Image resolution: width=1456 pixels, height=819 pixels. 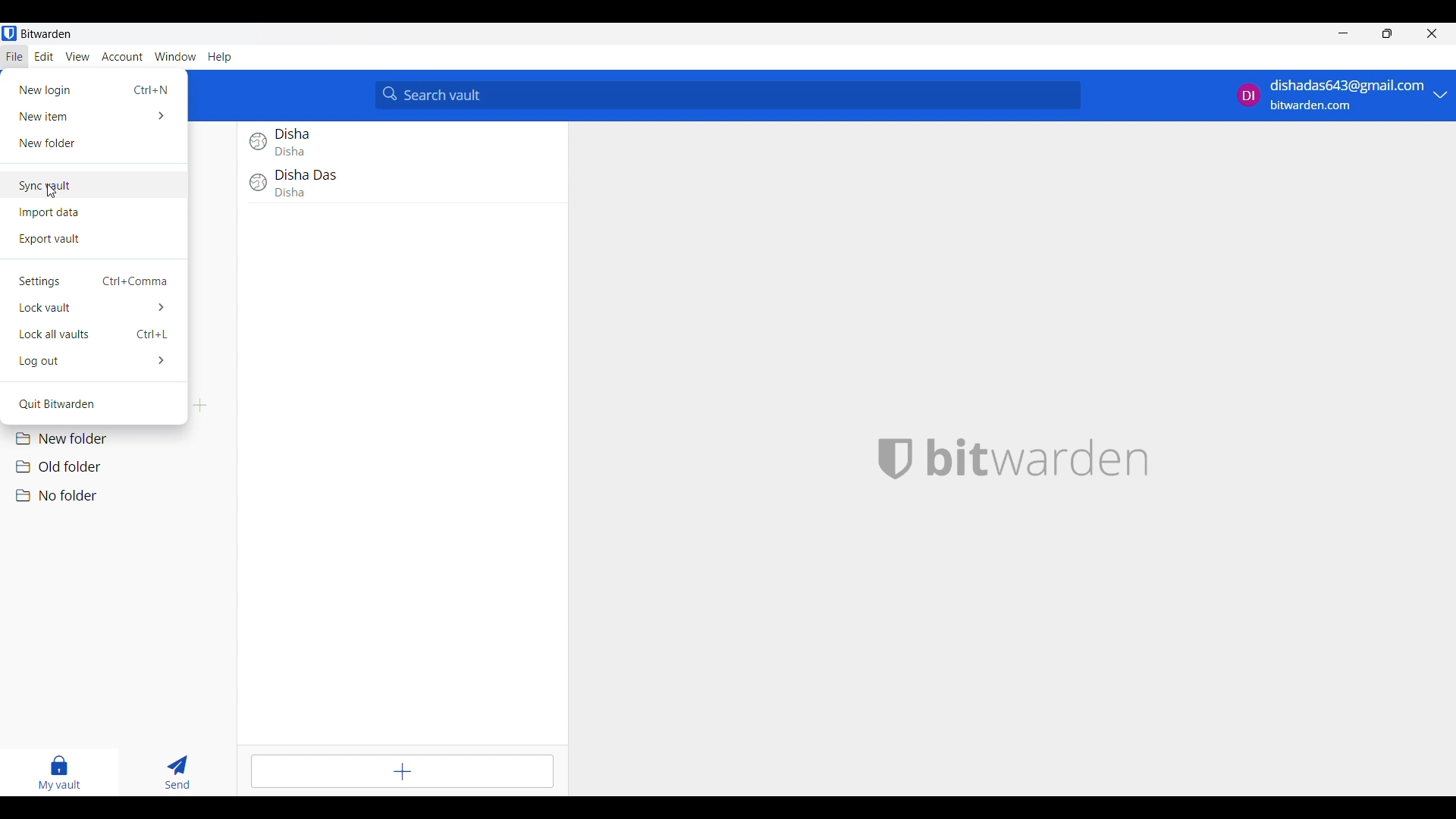 I want to click on New login, so click(x=95, y=89).